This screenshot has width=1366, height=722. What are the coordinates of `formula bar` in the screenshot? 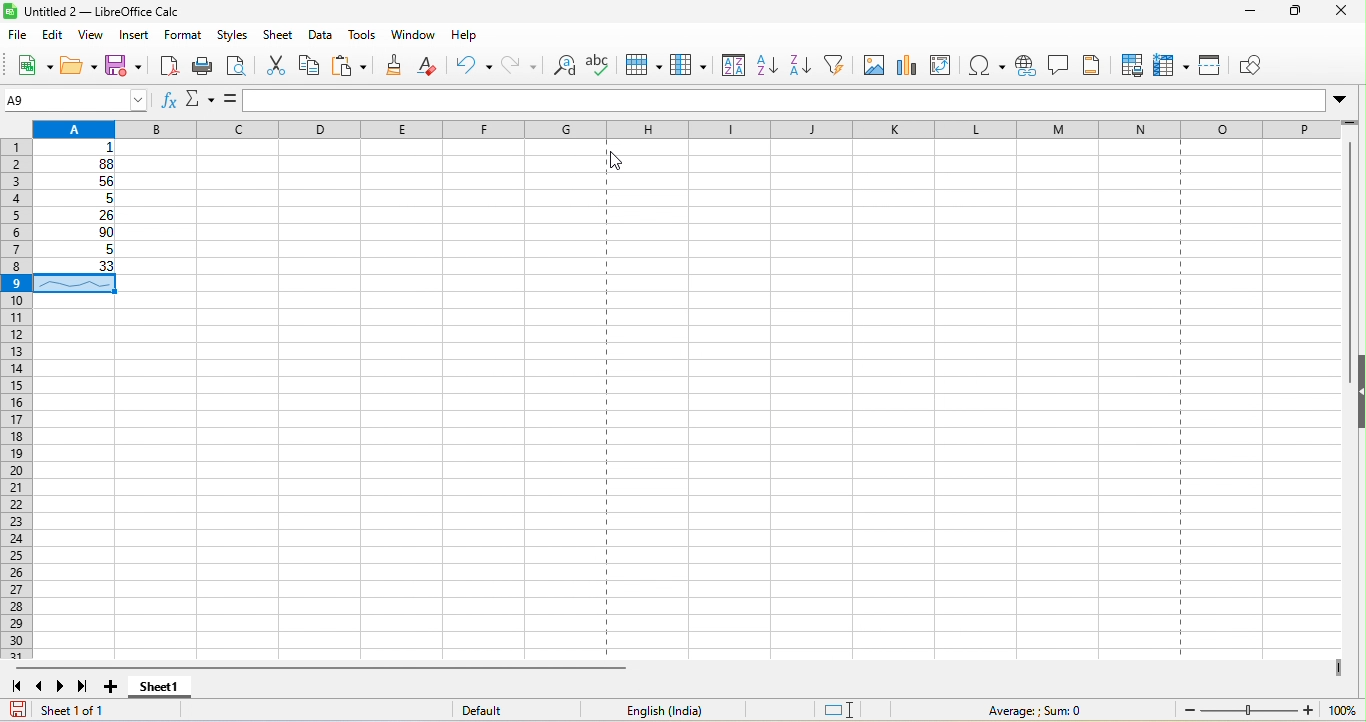 It's located at (799, 103).